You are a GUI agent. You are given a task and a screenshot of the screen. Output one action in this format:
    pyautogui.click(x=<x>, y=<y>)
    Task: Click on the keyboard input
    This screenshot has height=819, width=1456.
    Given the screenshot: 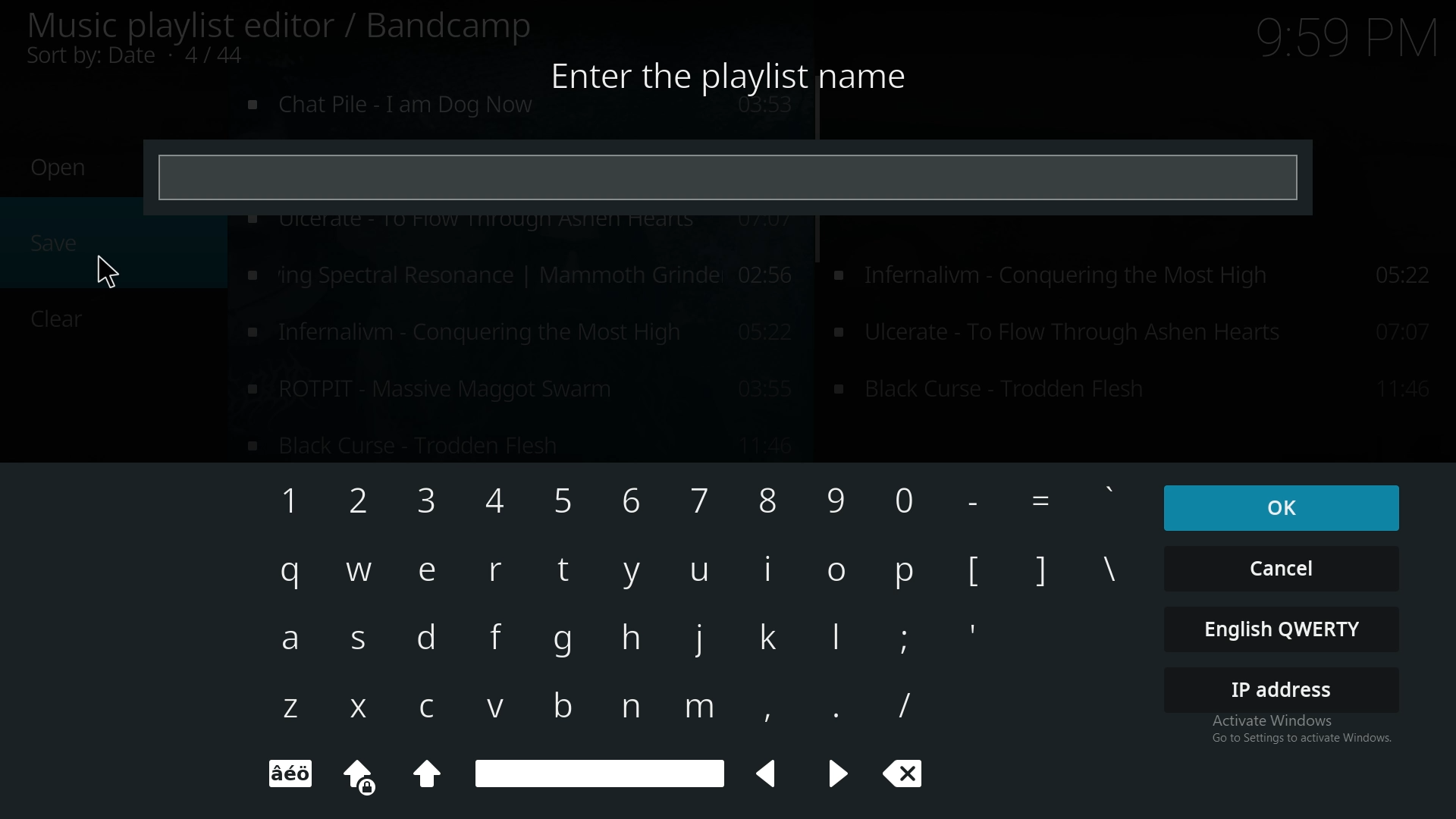 What is the action you would take?
    pyautogui.click(x=905, y=639)
    